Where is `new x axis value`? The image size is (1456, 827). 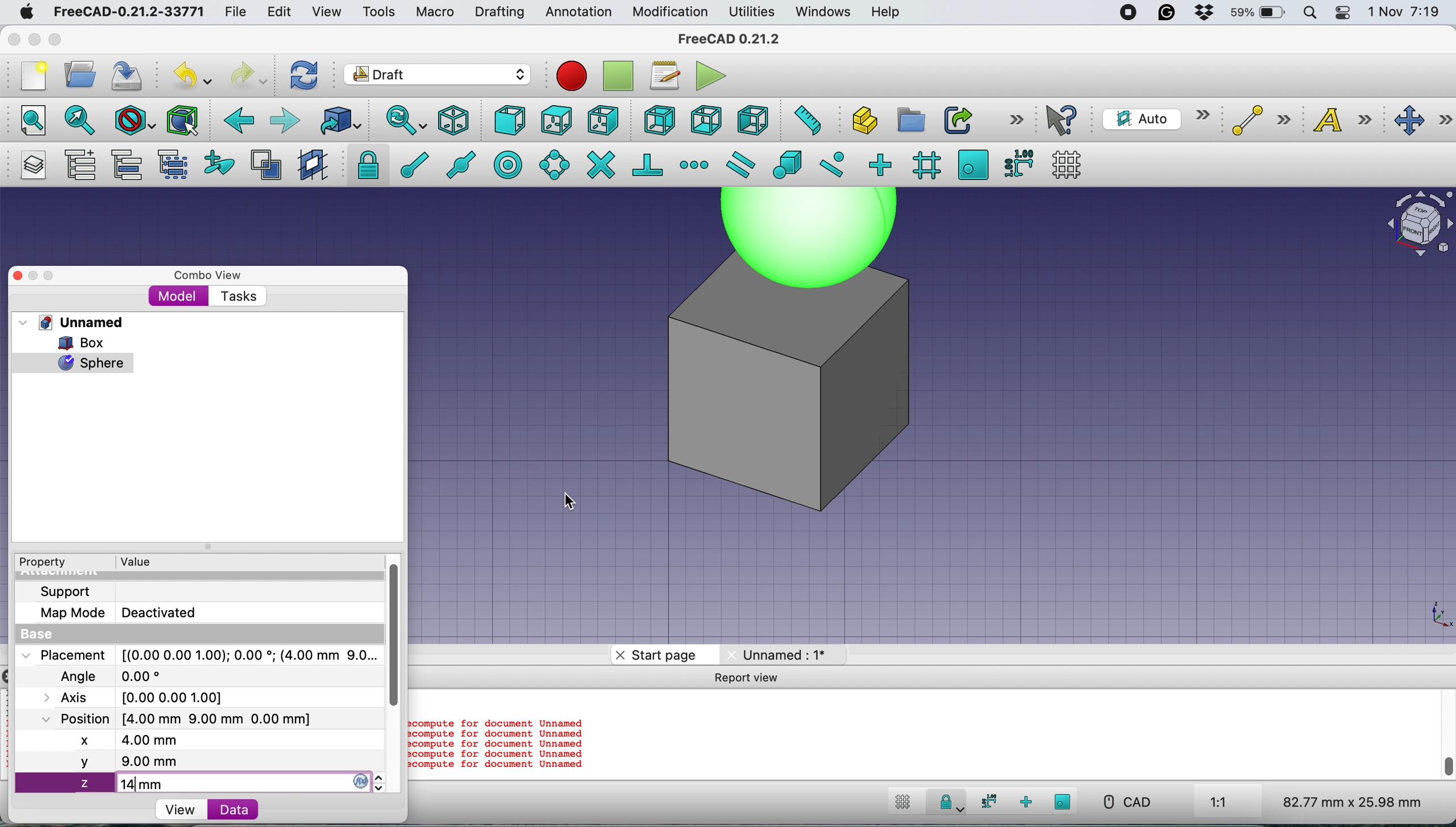
new x axis value is located at coordinates (131, 741).